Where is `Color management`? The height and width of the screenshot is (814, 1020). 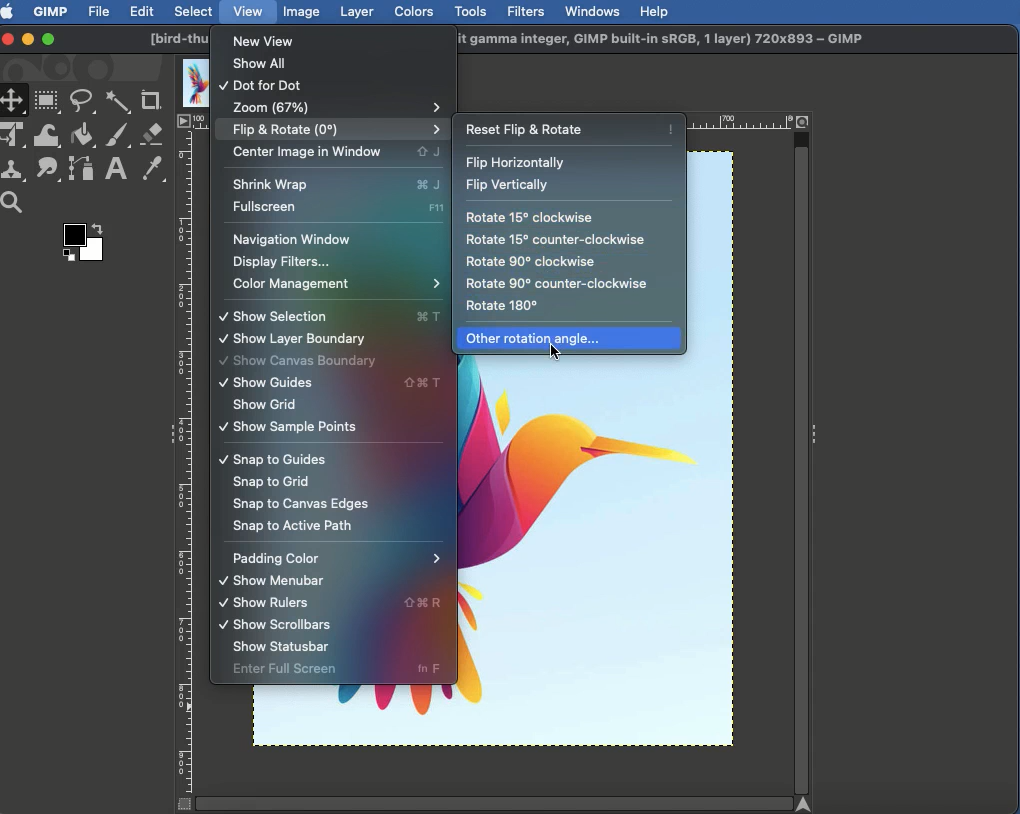 Color management is located at coordinates (334, 286).